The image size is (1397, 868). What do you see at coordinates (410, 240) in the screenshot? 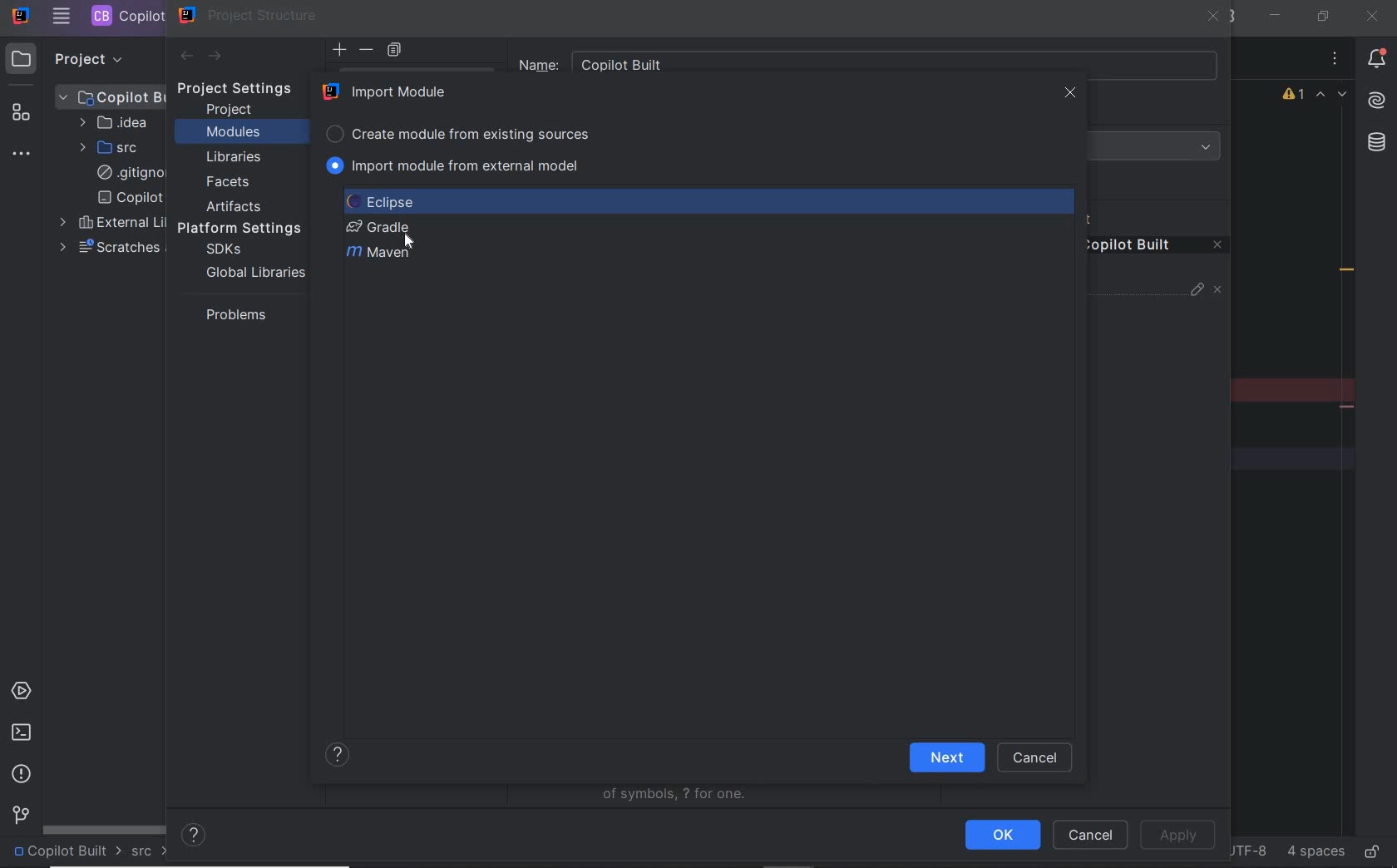
I see `cursor` at bounding box center [410, 240].